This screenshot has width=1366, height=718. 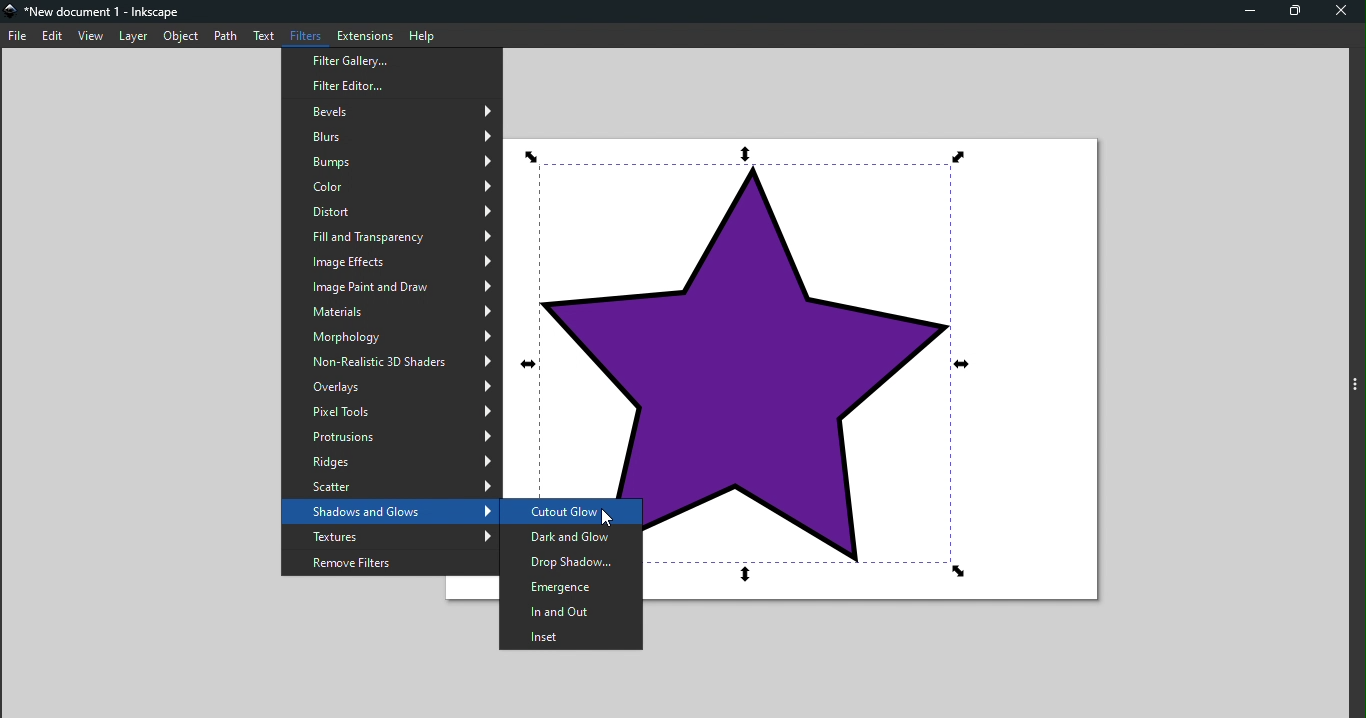 What do you see at coordinates (420, 34) in the screenshot?
I see `Help` at bounding box center [420, 34].